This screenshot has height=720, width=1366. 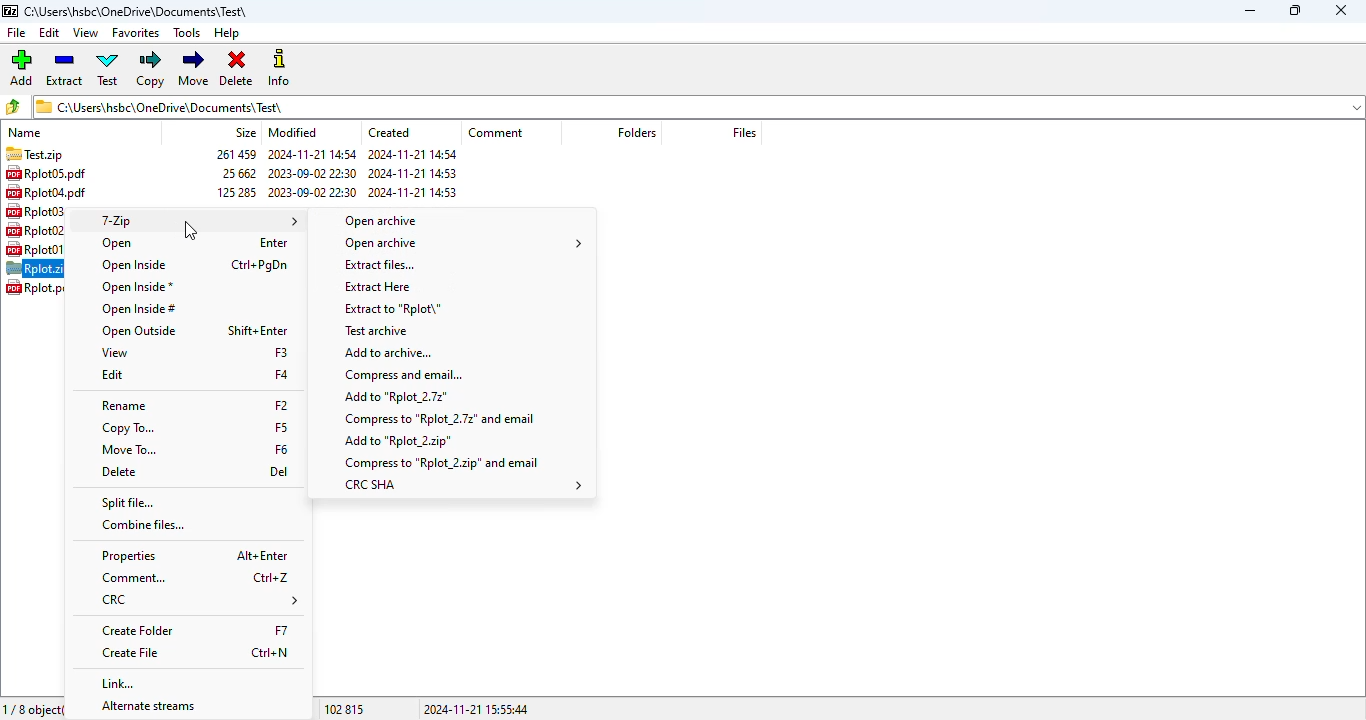 I want to click on open archive, so click(x=386, y=220).